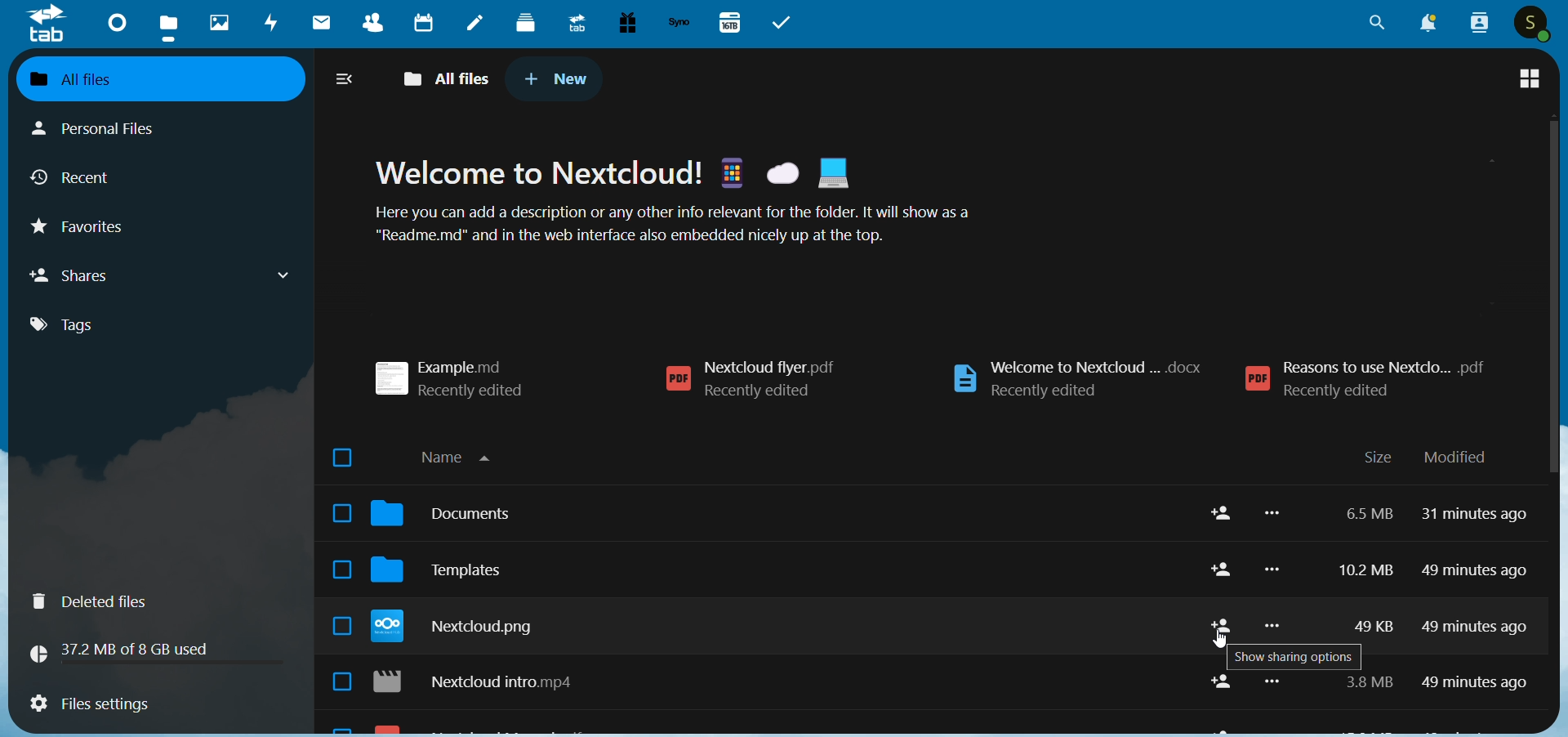  I want to click on dock, so click(526, 22).